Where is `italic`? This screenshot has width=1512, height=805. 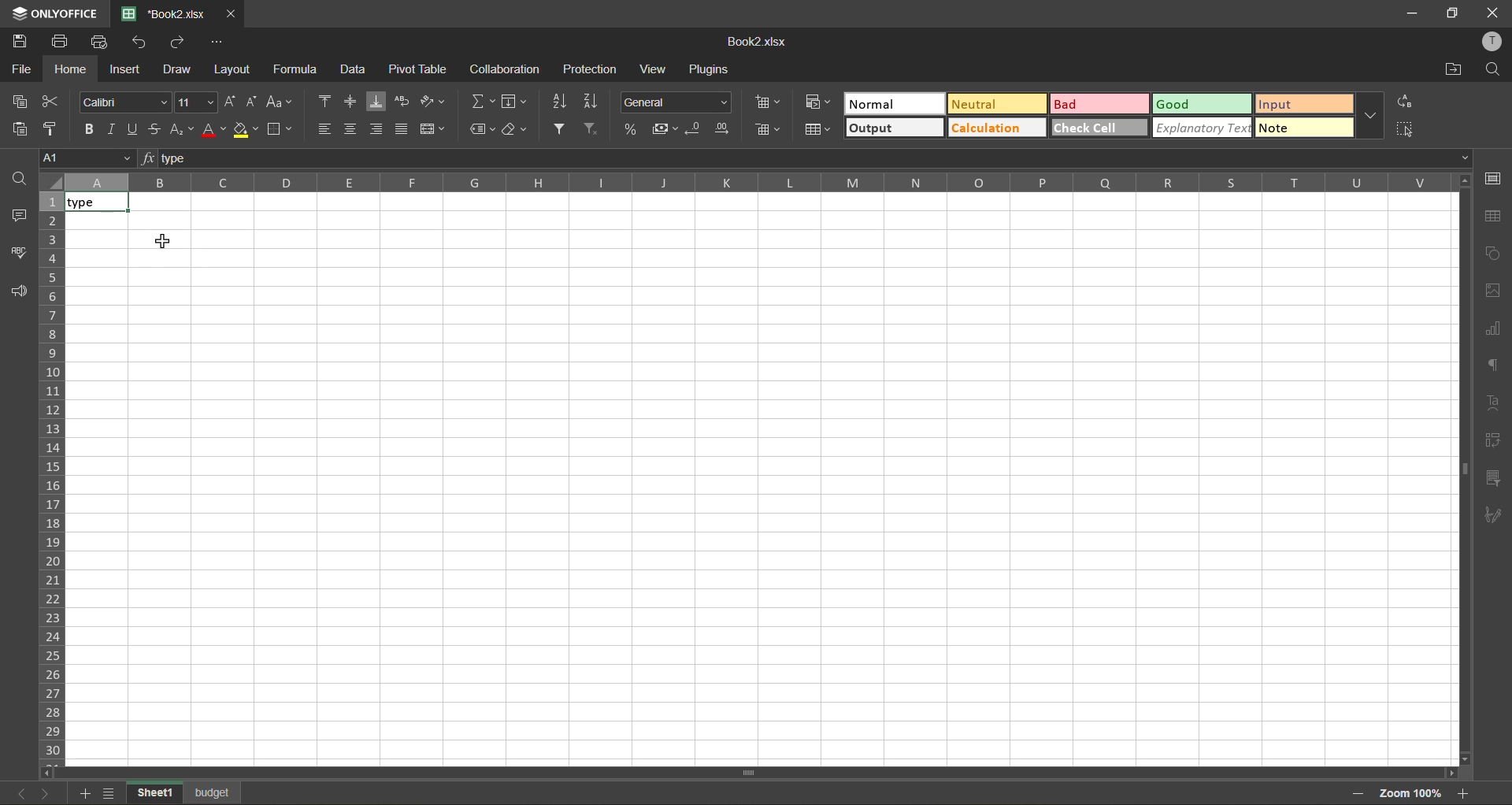
italic is located at coordinates (110, 129).